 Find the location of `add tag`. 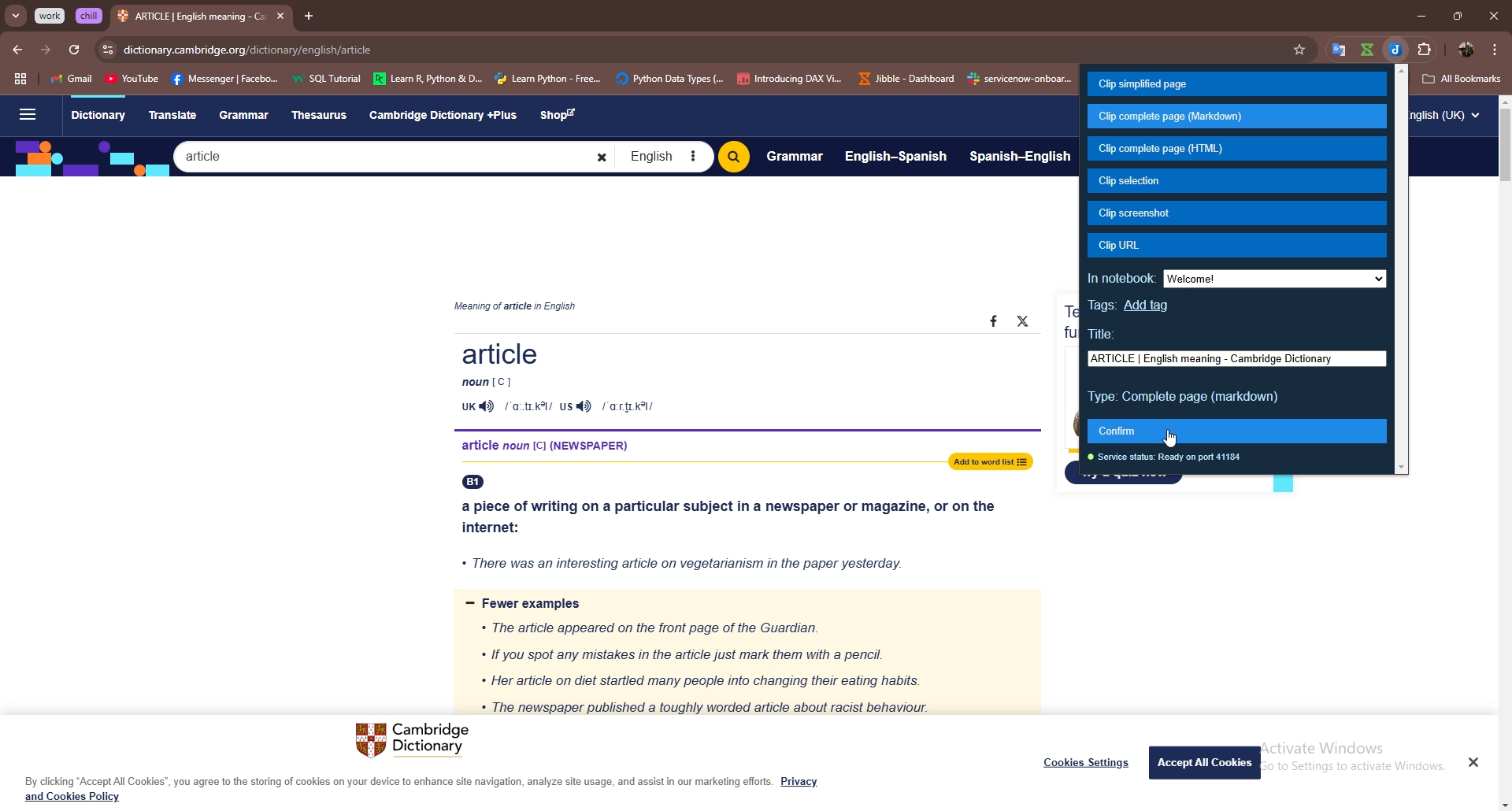

add tag is located at coordinates (1147, 306).